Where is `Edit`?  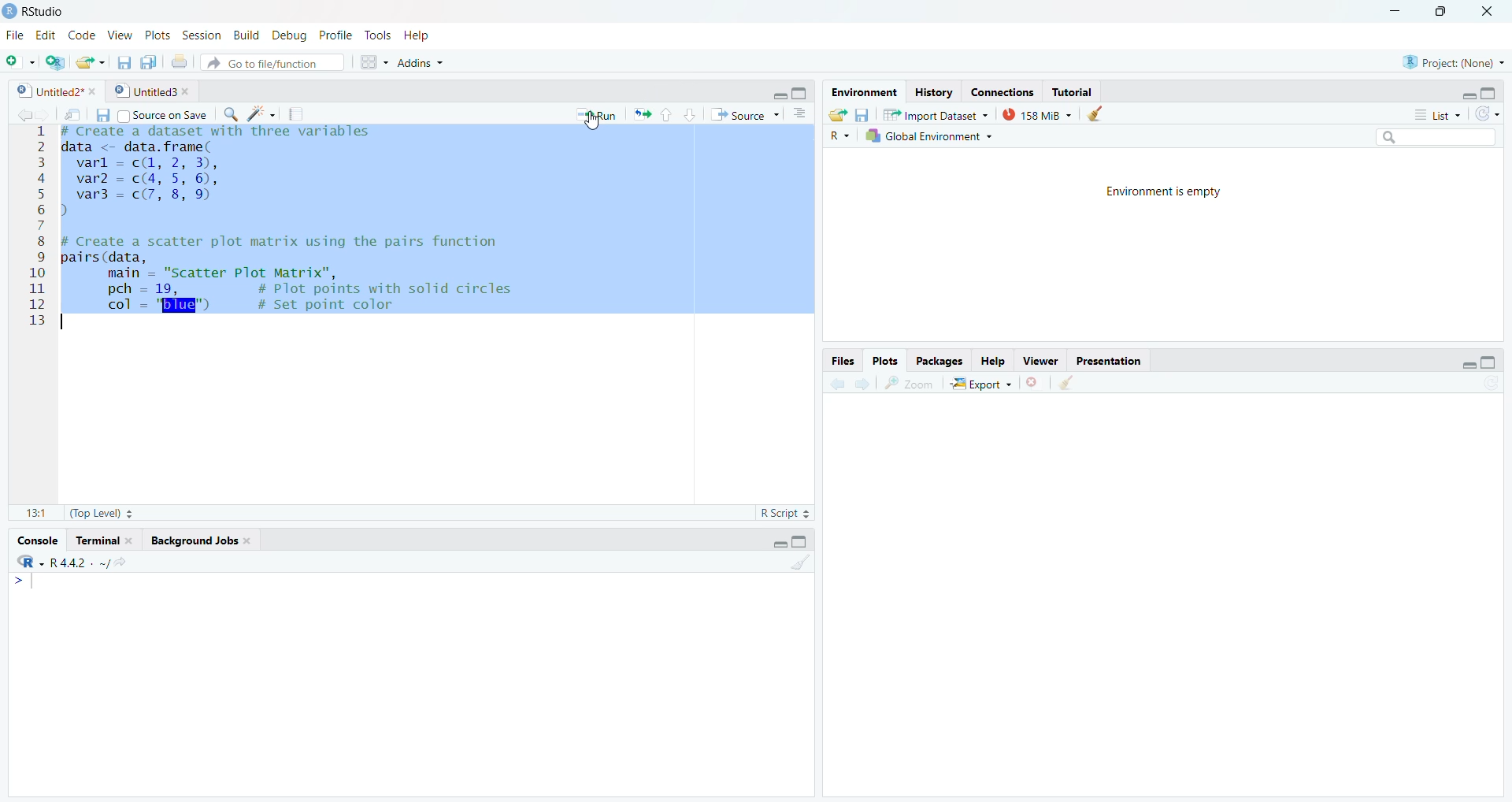
Edit is located at coordinates (46, 35).